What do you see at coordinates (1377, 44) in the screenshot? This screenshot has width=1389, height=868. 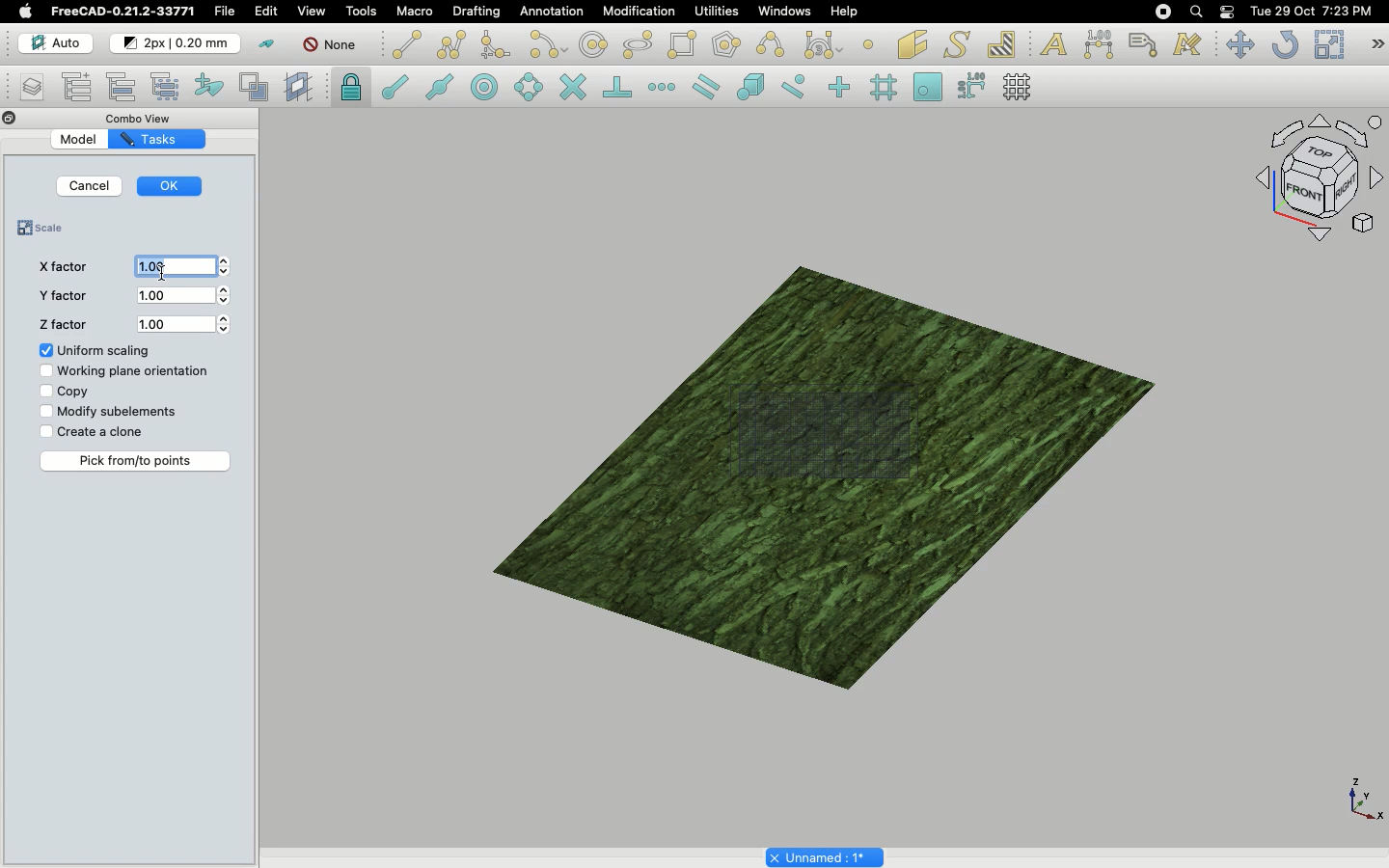 I see `Draft modification tools` at bounding box center [1377, 44].